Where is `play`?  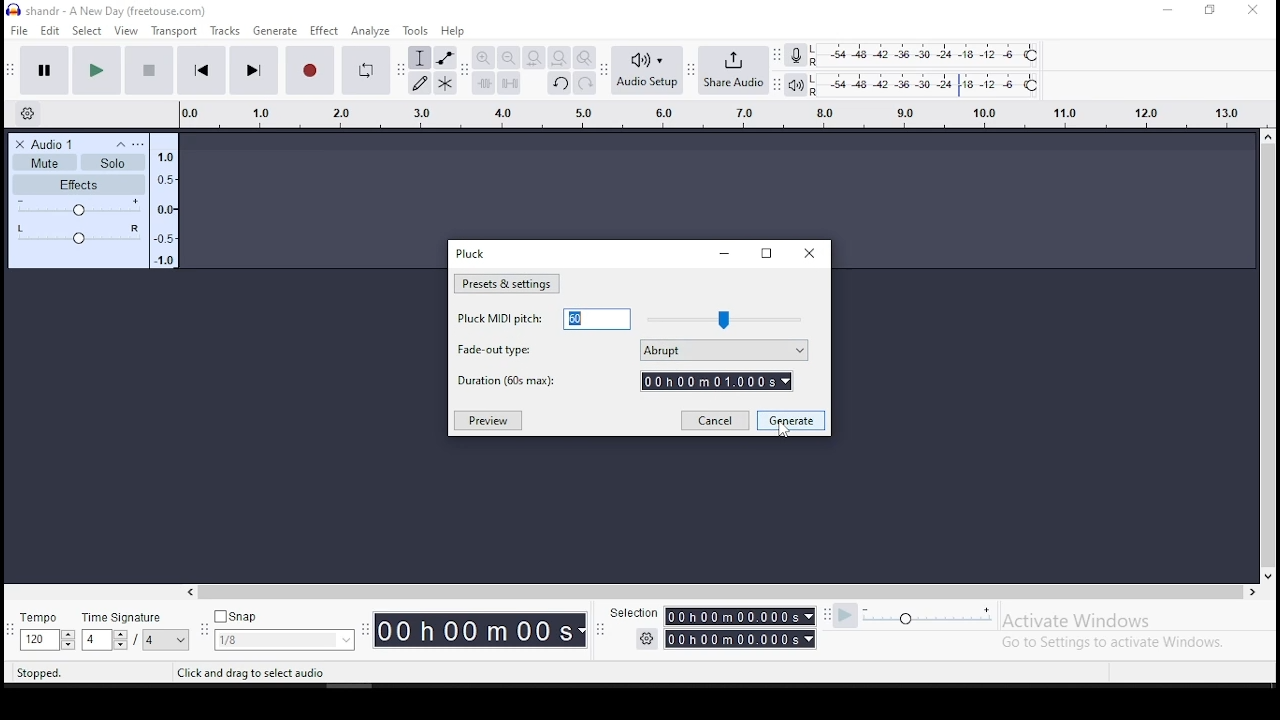
play is located at coordinates (96, 69).